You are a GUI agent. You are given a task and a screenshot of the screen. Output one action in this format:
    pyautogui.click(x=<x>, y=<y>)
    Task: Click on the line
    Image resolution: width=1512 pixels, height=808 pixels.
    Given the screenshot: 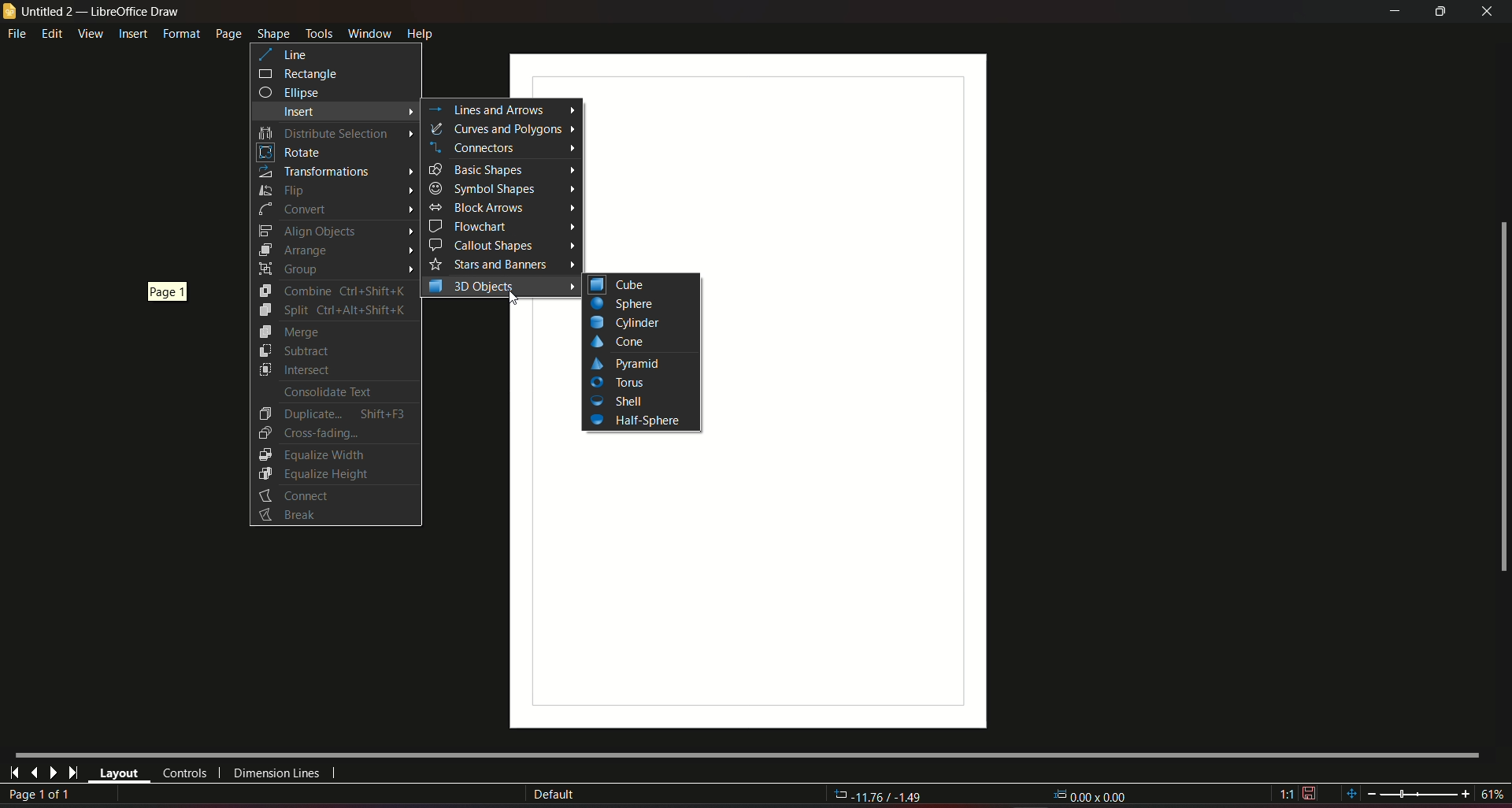 What is the action you would take?
    pyautogui.click(x=289, y=54)
    